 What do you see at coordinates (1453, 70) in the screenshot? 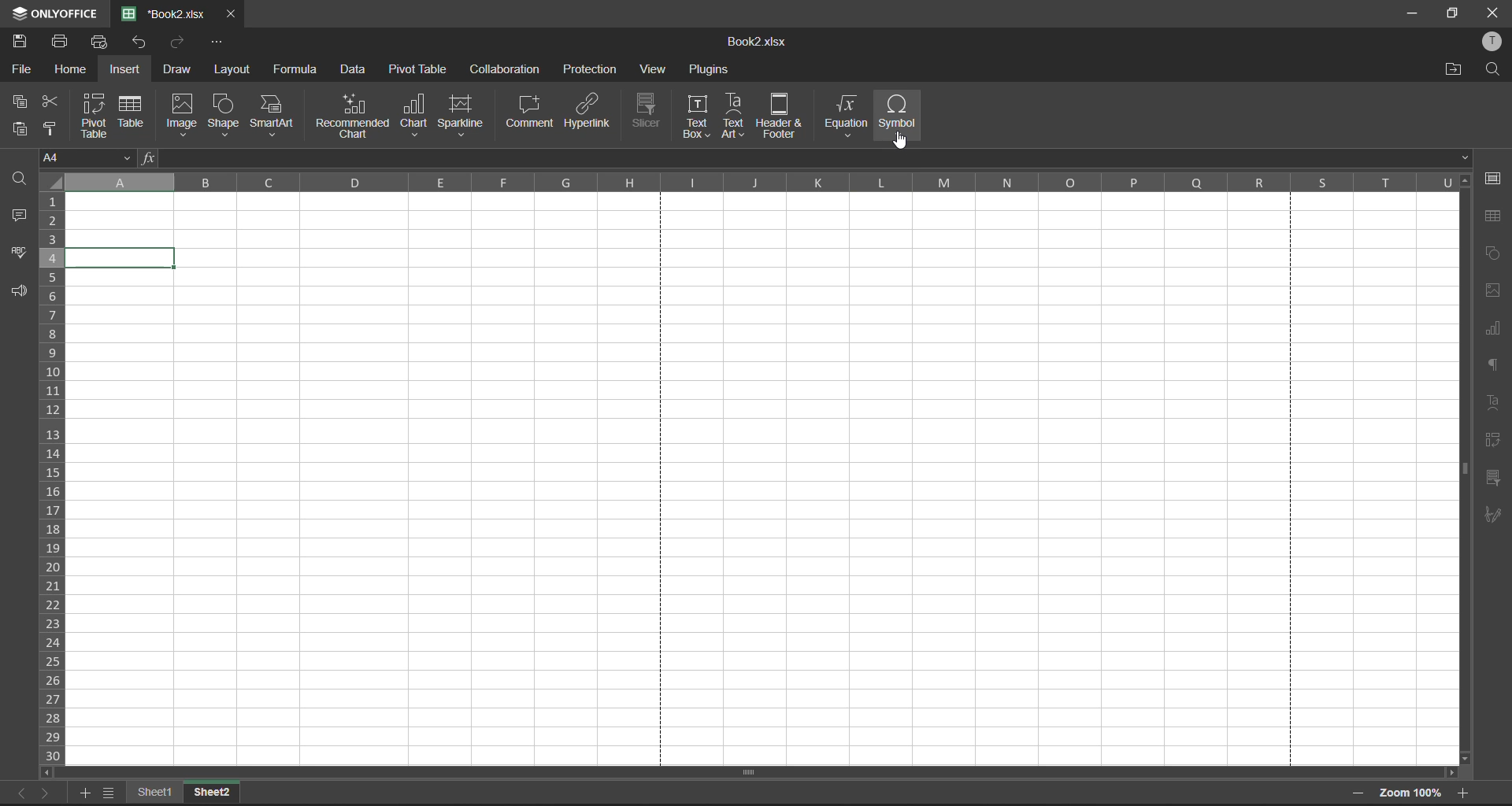
I see `open location` at bounding box center [1453, 70].